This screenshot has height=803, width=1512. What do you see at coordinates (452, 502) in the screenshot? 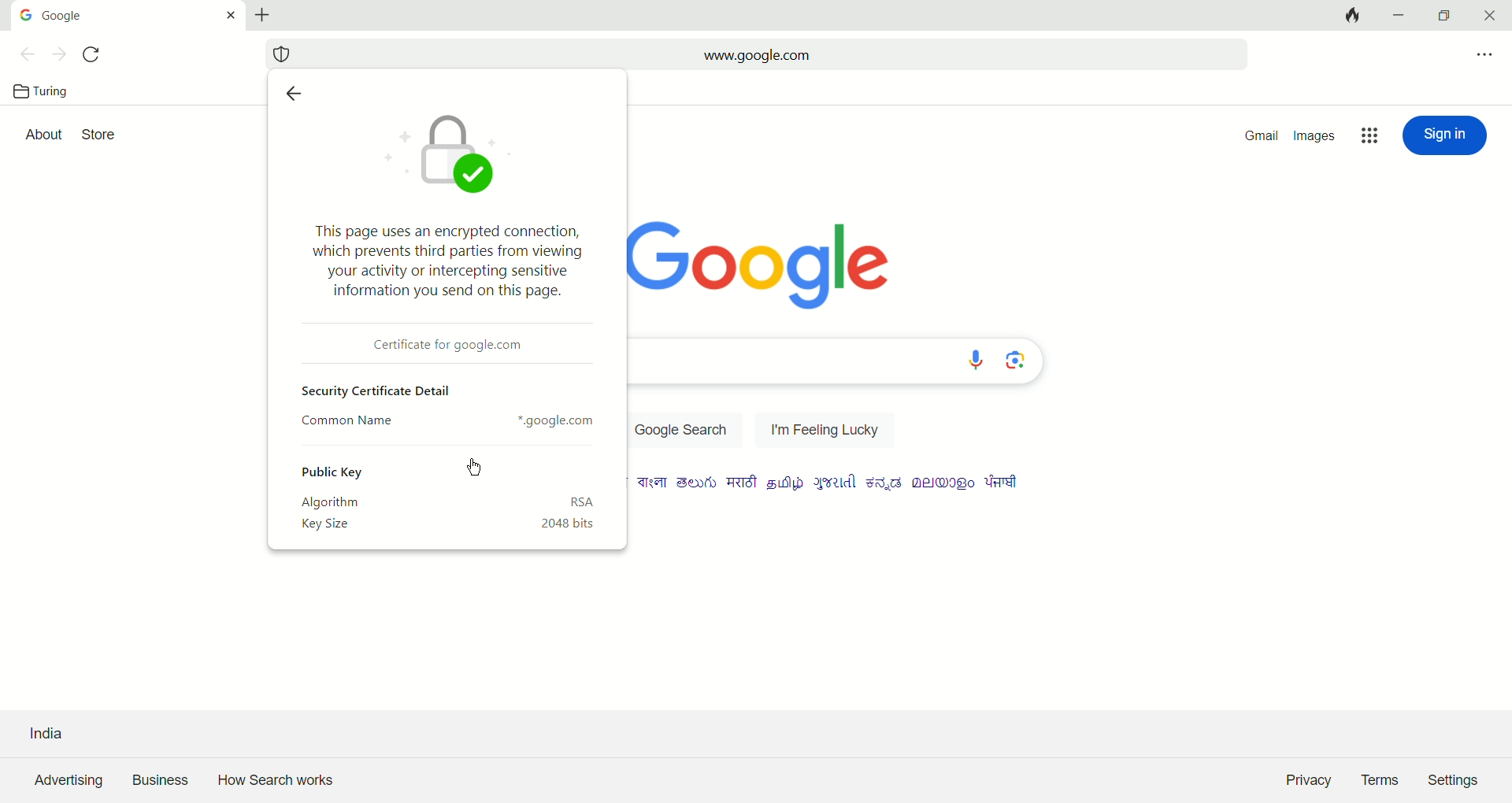
I see `algorithm RSA` at bounding box center [452, 502].